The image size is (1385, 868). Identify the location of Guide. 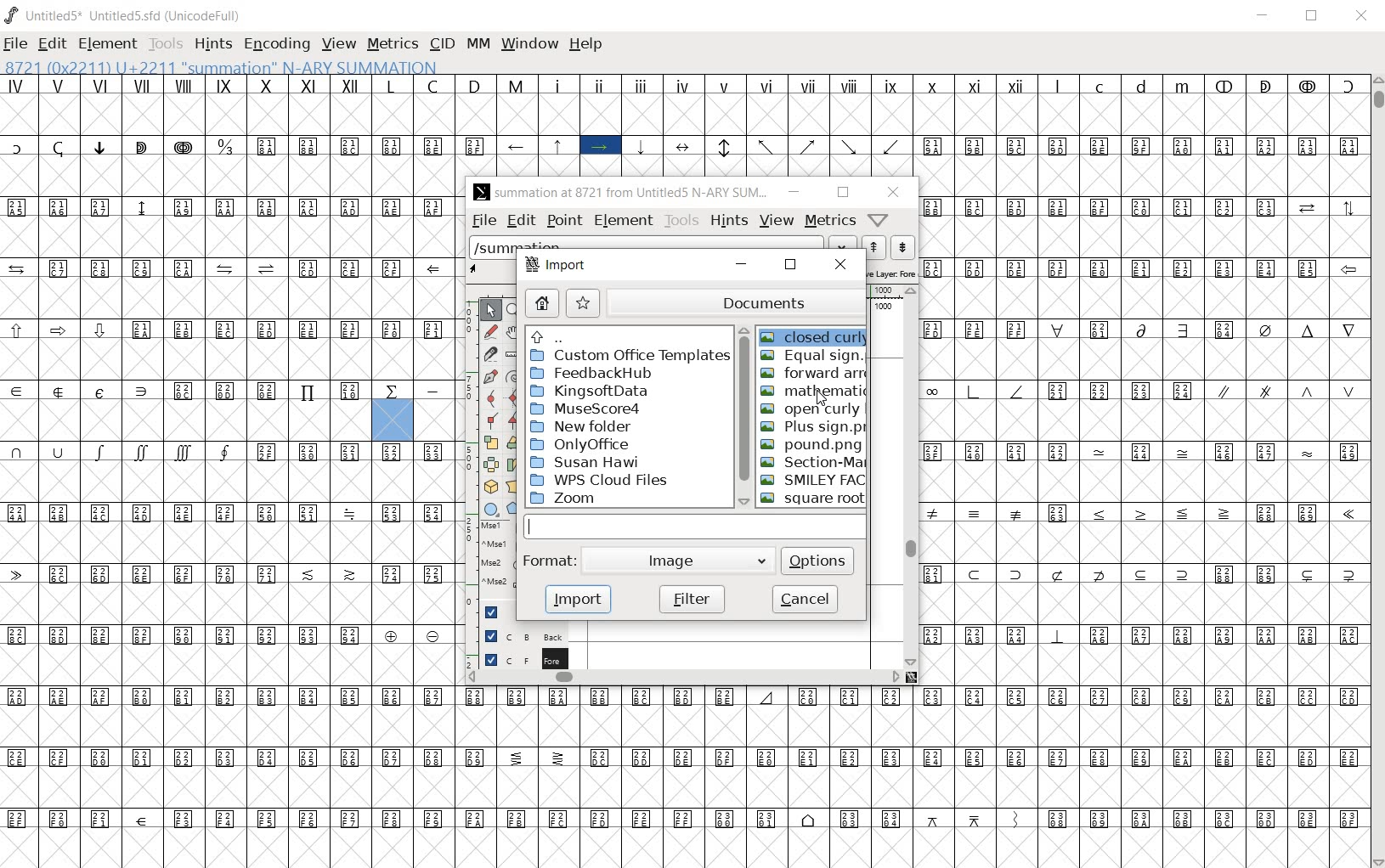
(490, 610).